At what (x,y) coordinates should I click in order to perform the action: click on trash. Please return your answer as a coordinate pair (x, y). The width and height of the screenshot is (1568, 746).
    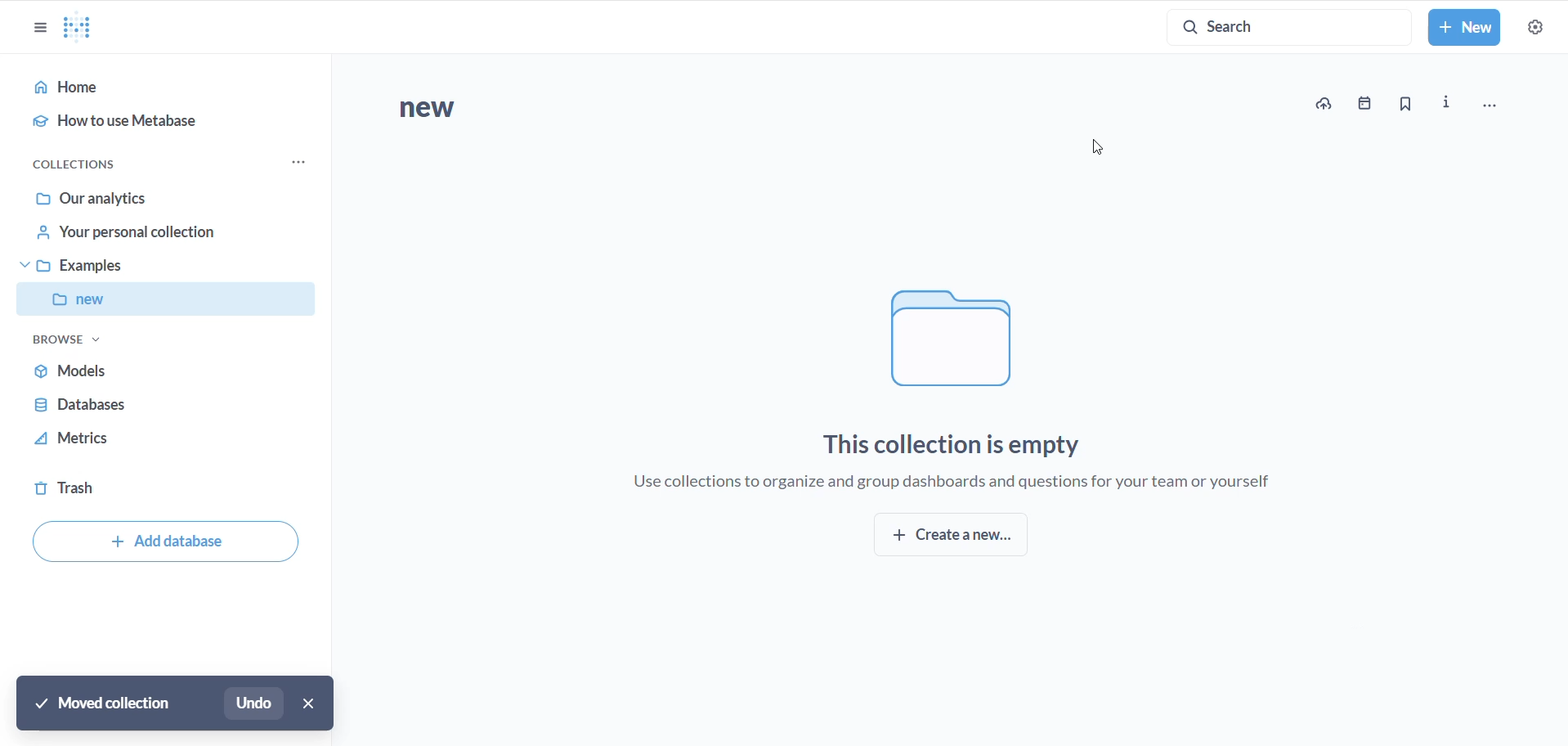
    Looking at the image, I should click on (80, 490).